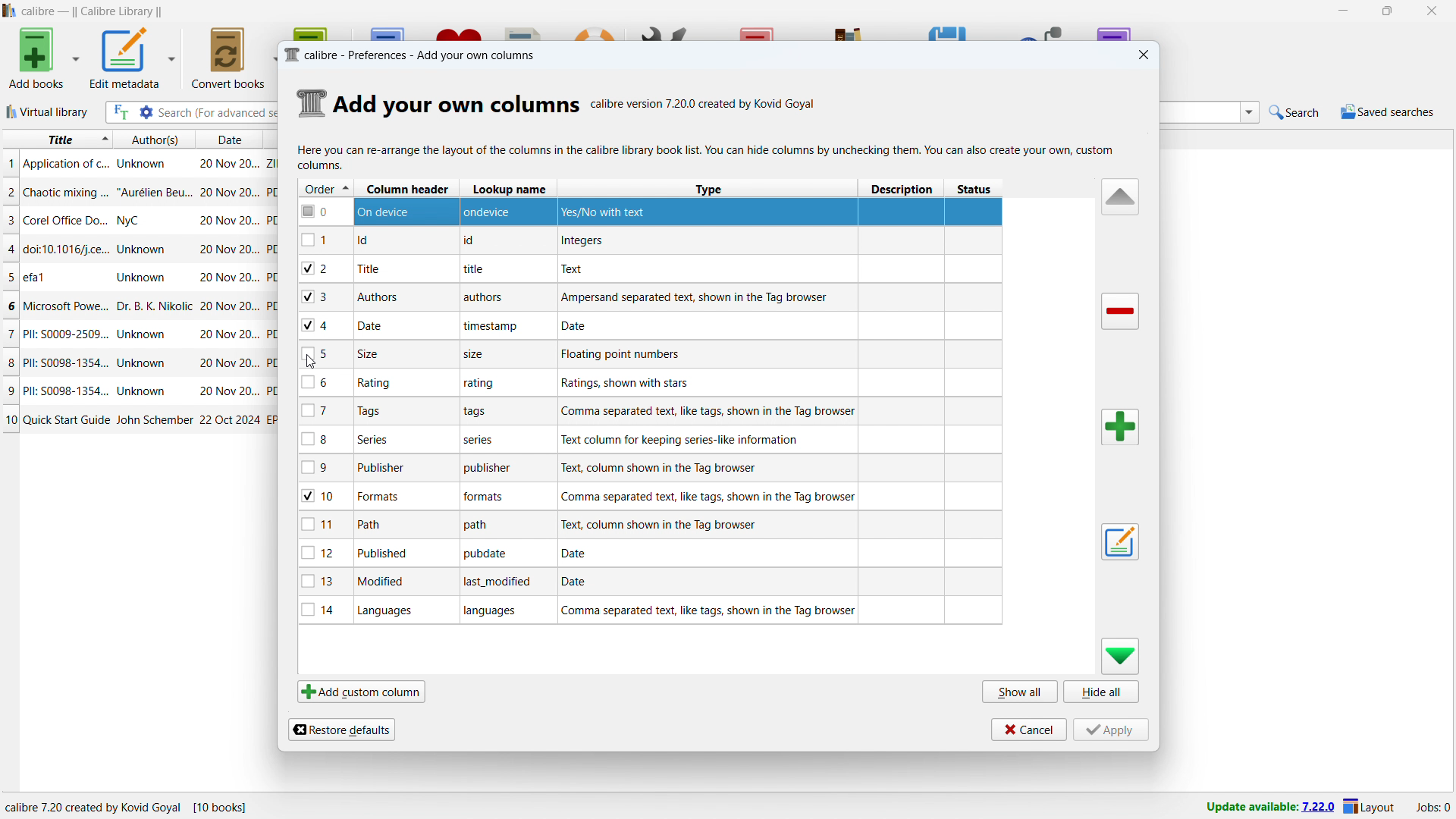 This screenshot has height=819, width=1456. What do you see at coordinates (1432, 11) in the screenshot?
I see `close` at bounding box center [1432, 11].